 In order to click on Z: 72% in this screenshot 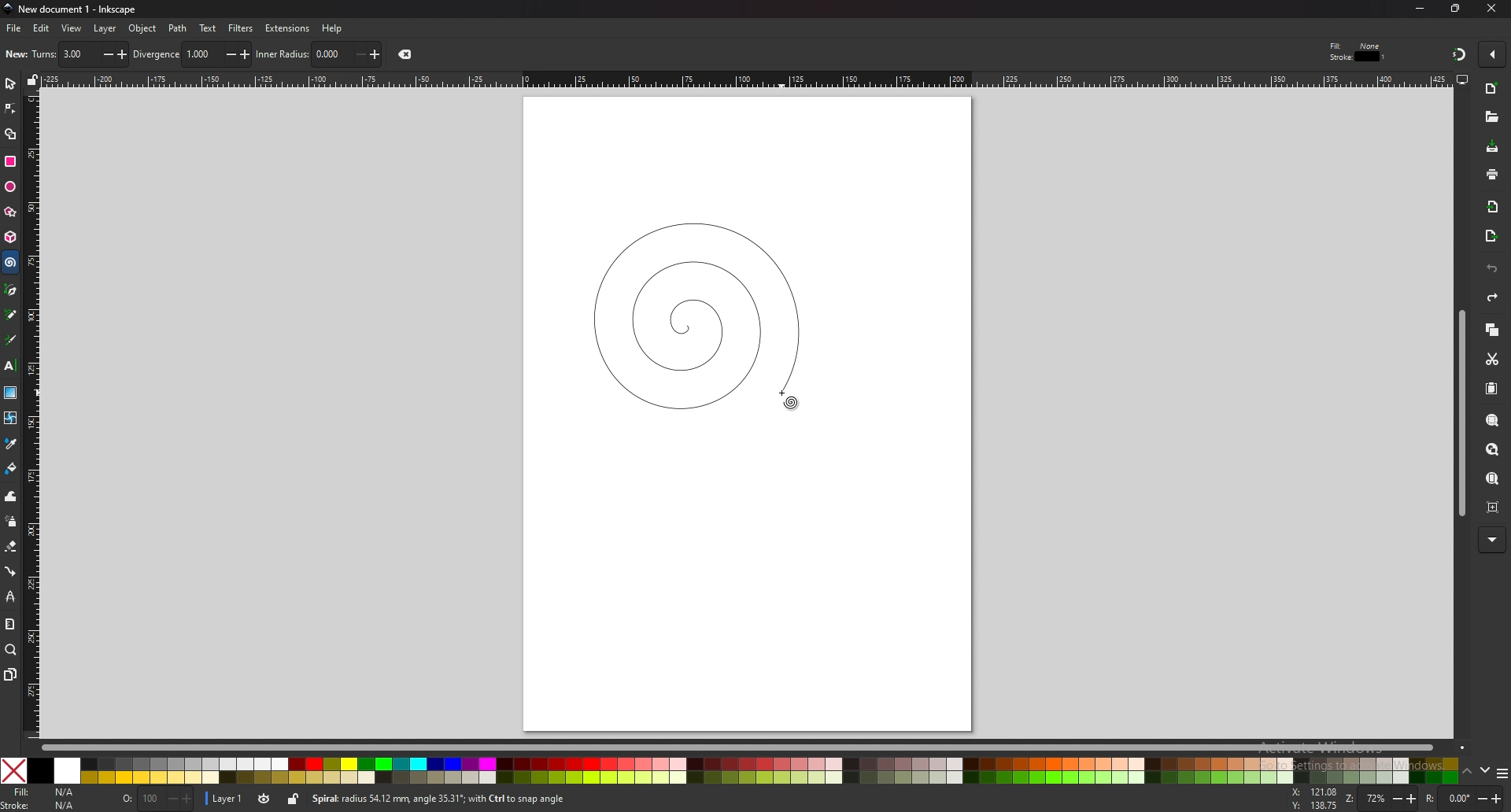, I will do `click(1381, 799)`.